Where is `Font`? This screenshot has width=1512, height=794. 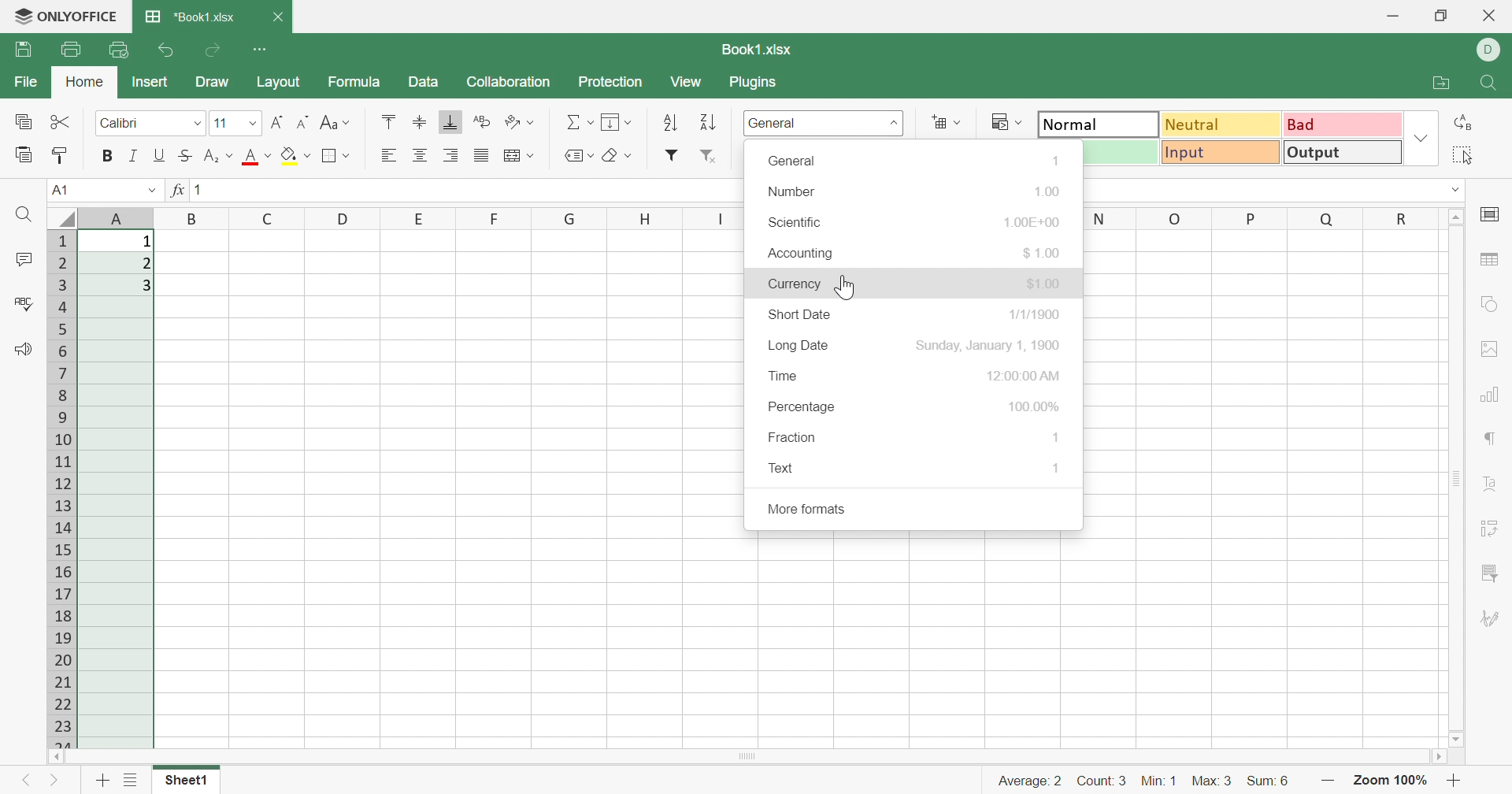 Font is located at coordinates (258, 157).